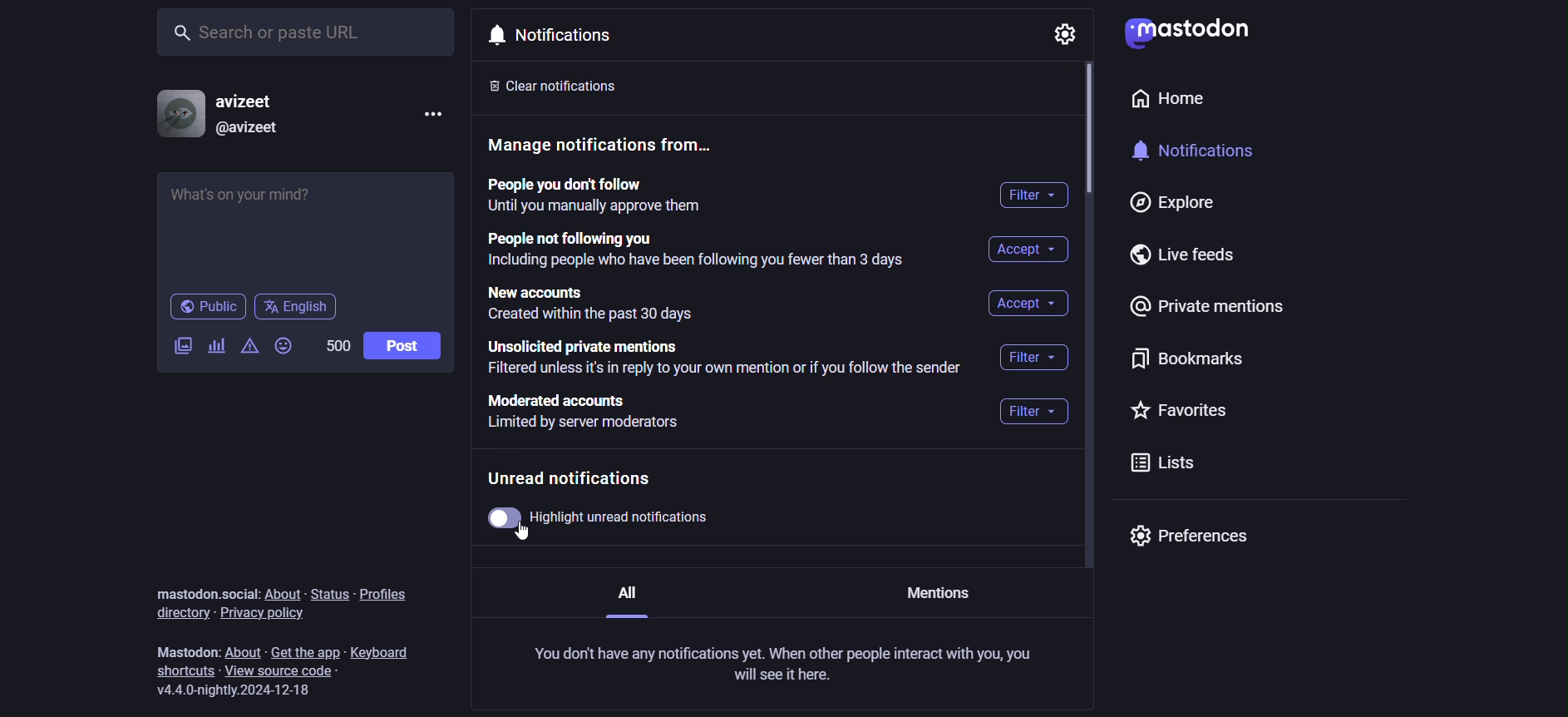 This screenshot has height=717, width=1568. Describe the element at coordinates (255, 100) in the screenshot. I see `username` at that location.